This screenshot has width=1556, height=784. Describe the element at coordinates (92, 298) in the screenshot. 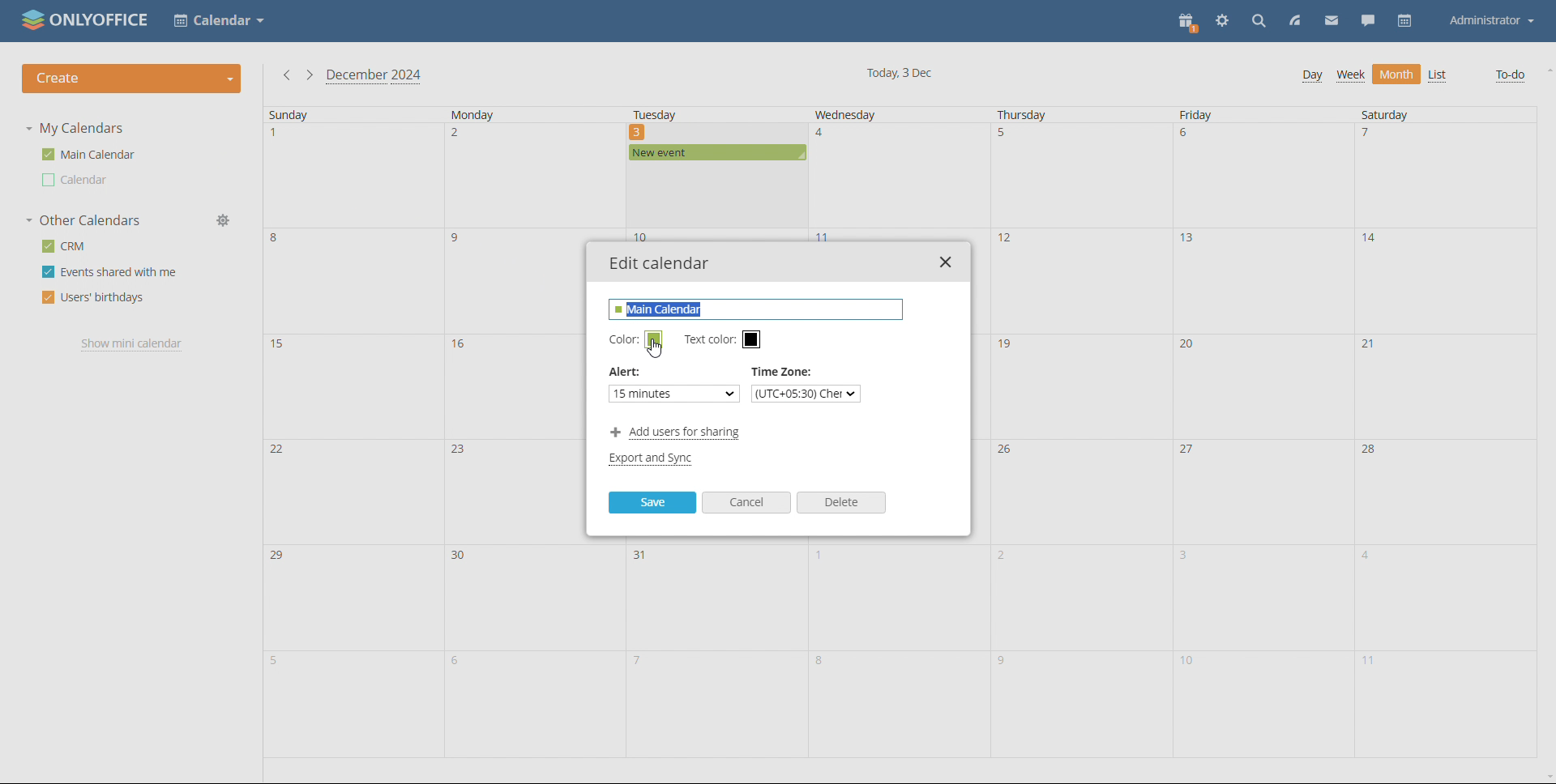

I see `users' birthdays` at that location.